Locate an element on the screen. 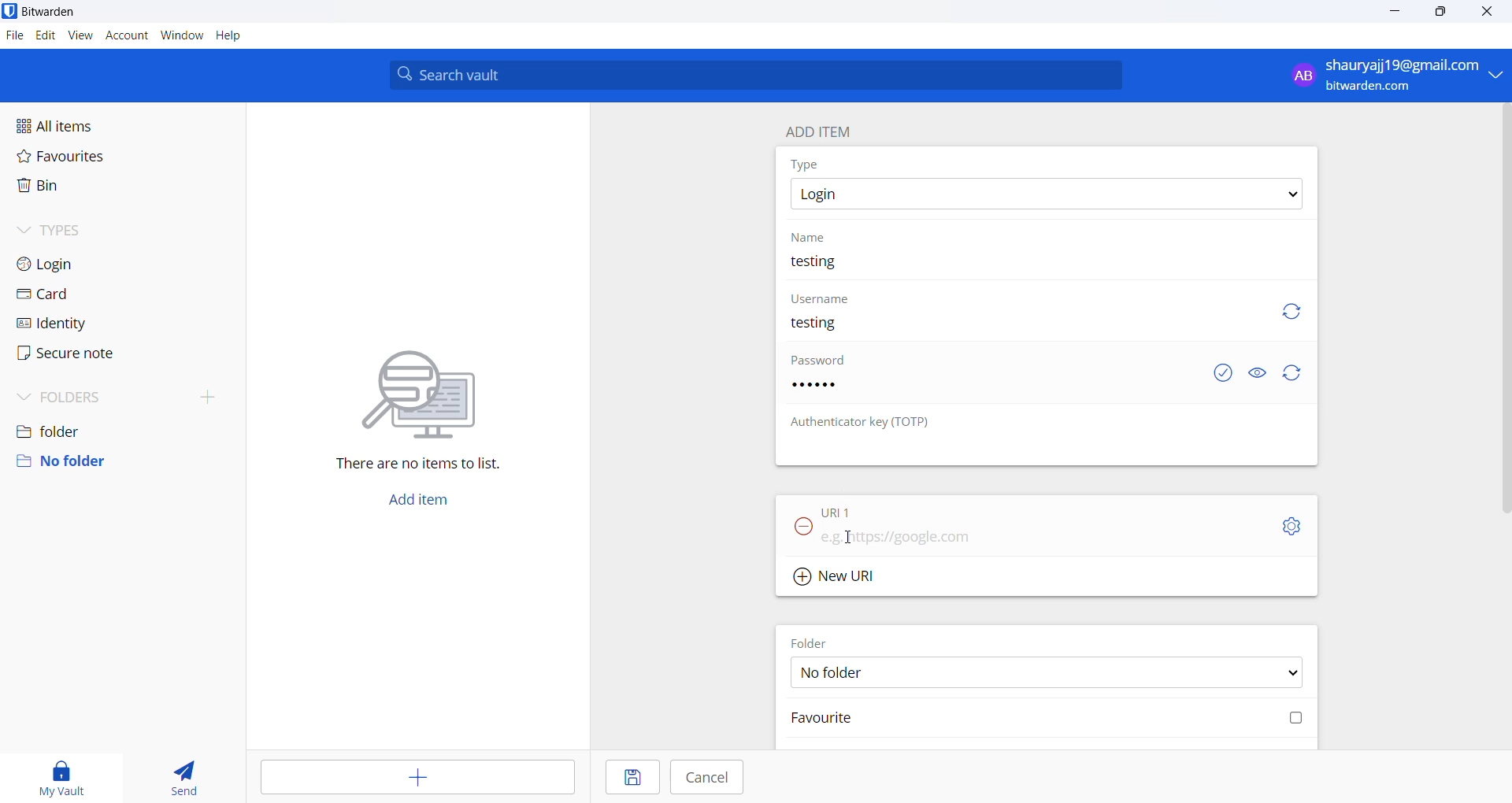 The width and height of the screenshot is (1512, 803). refresh is located at coordinates (1288, 311).